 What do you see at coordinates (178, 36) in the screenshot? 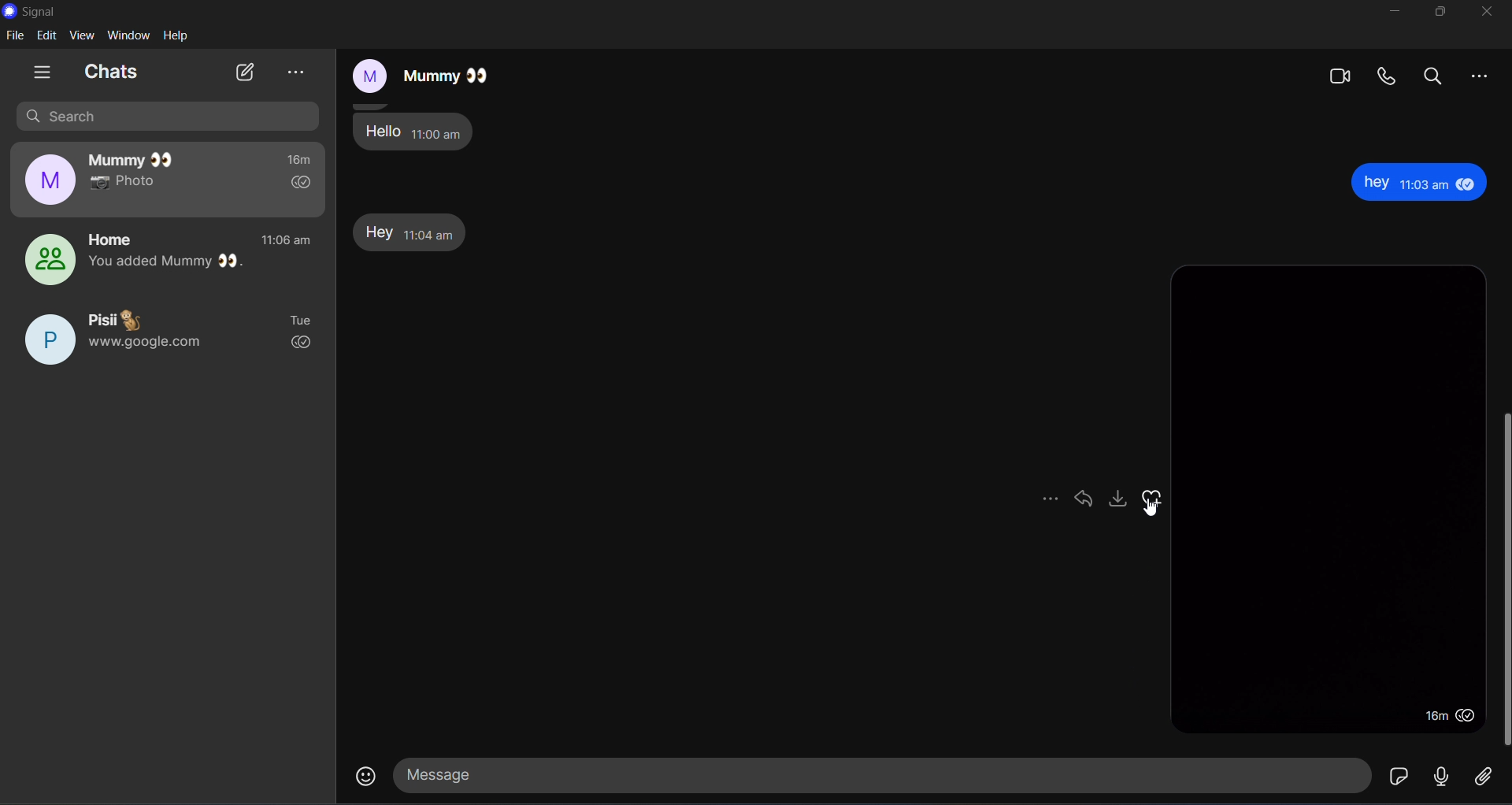
I see `help` at bounding box center [178, 36].